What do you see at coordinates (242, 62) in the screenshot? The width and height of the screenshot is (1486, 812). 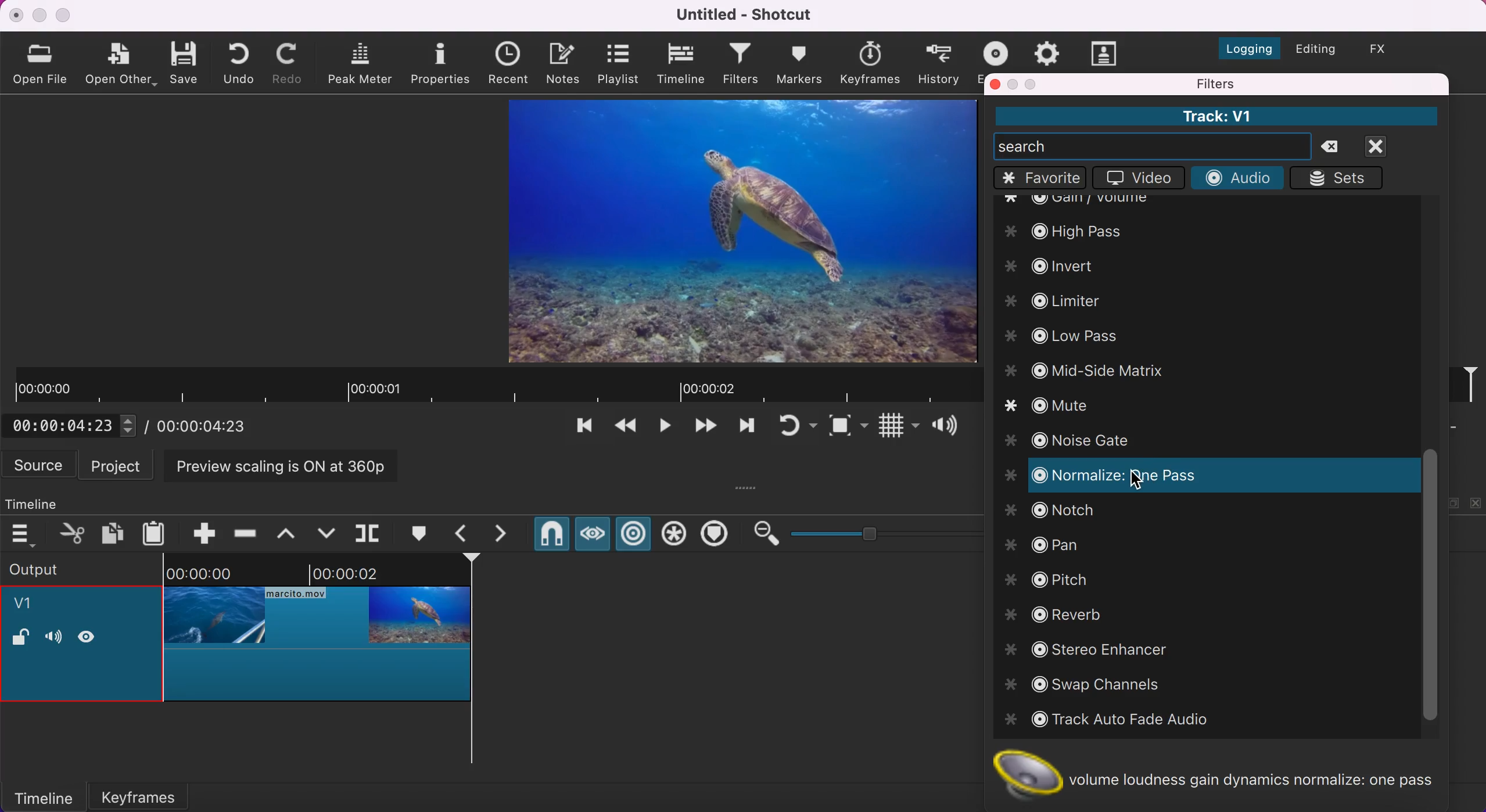 I see `undo` at bounding box center [242, 62].